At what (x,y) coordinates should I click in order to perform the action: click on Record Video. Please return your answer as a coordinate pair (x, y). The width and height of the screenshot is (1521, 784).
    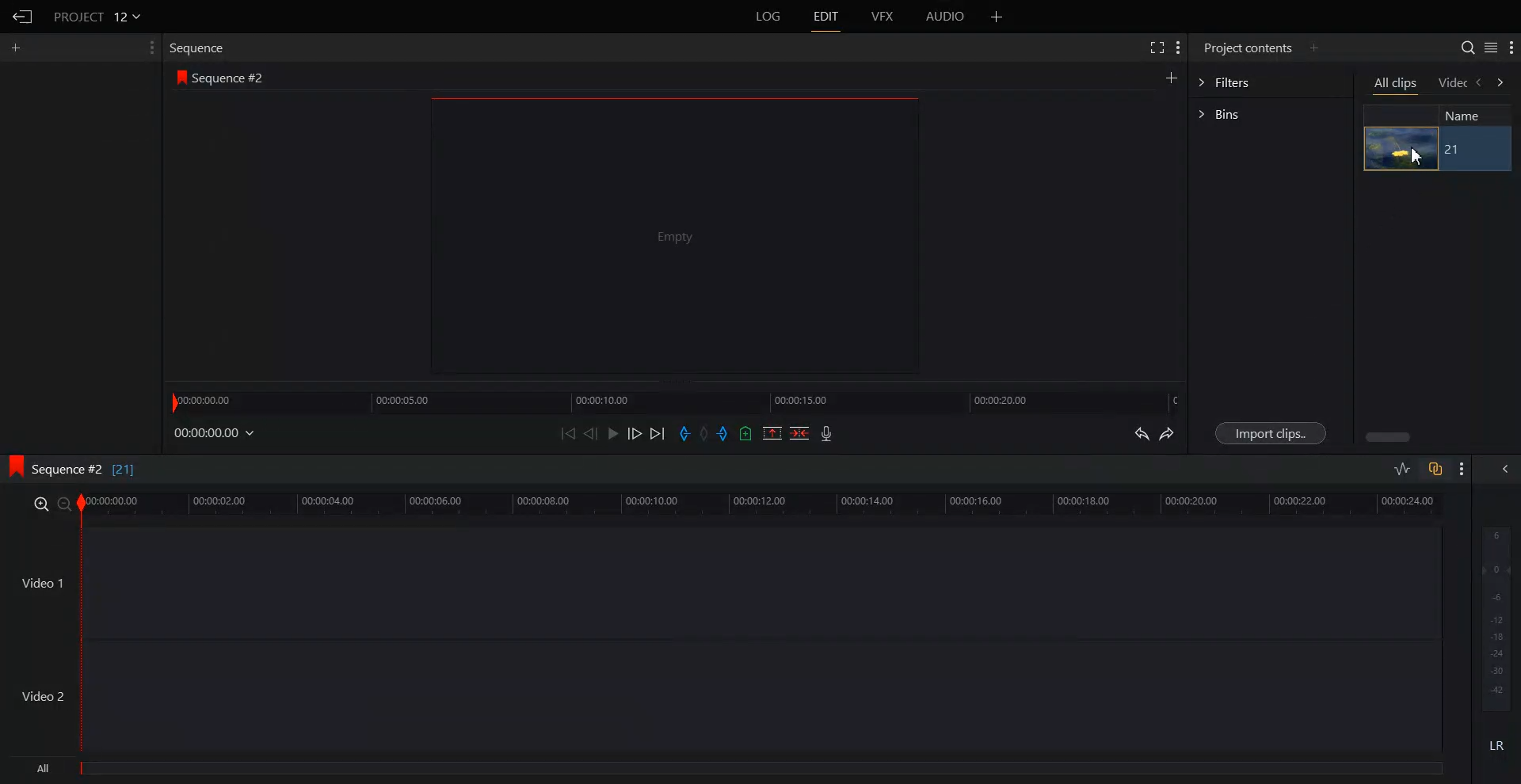
    Looking at the image, I should click on (827, 433).